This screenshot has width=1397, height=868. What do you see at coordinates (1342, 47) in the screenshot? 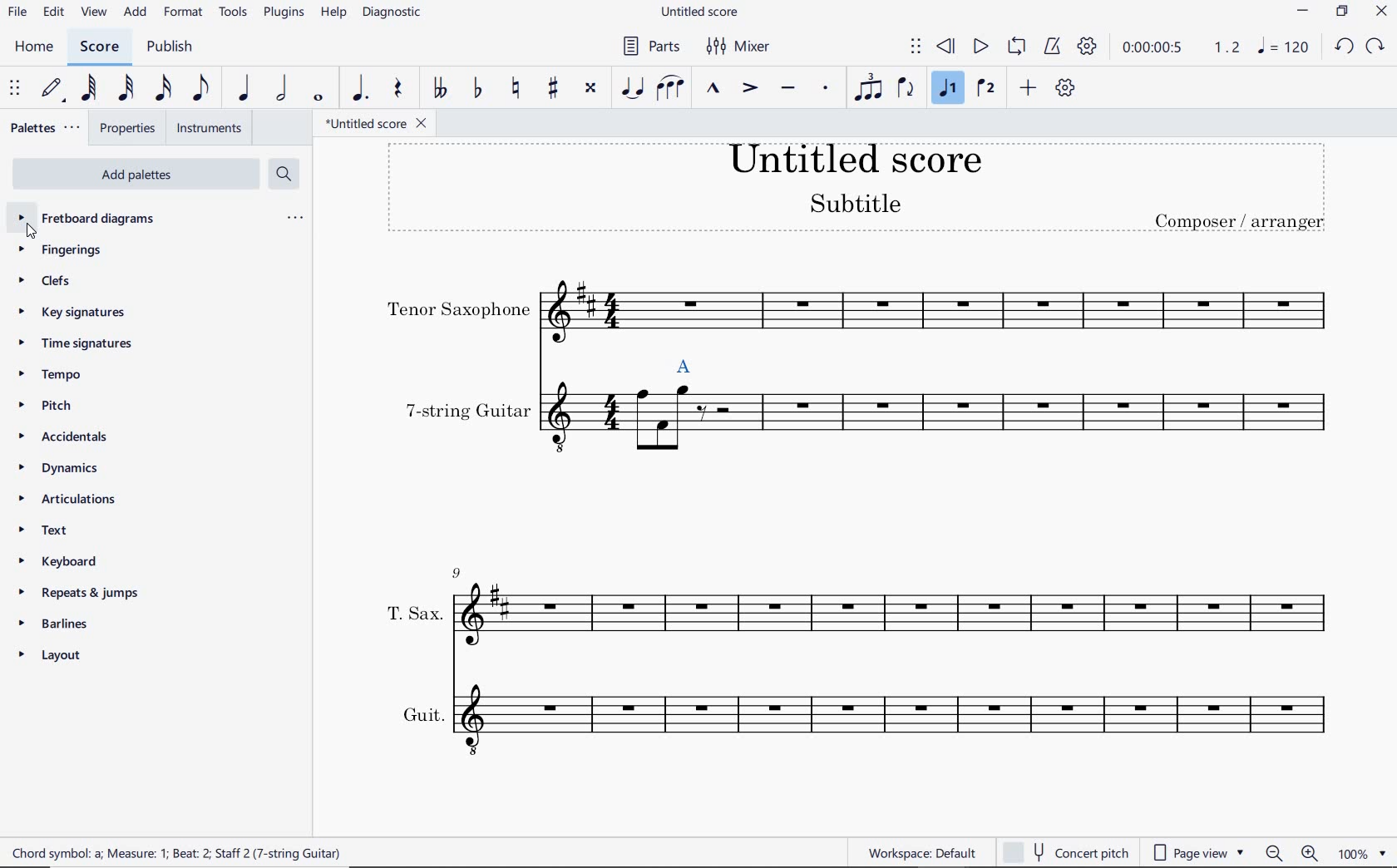
I see `UNDO` at bounding box center [1342, 47].